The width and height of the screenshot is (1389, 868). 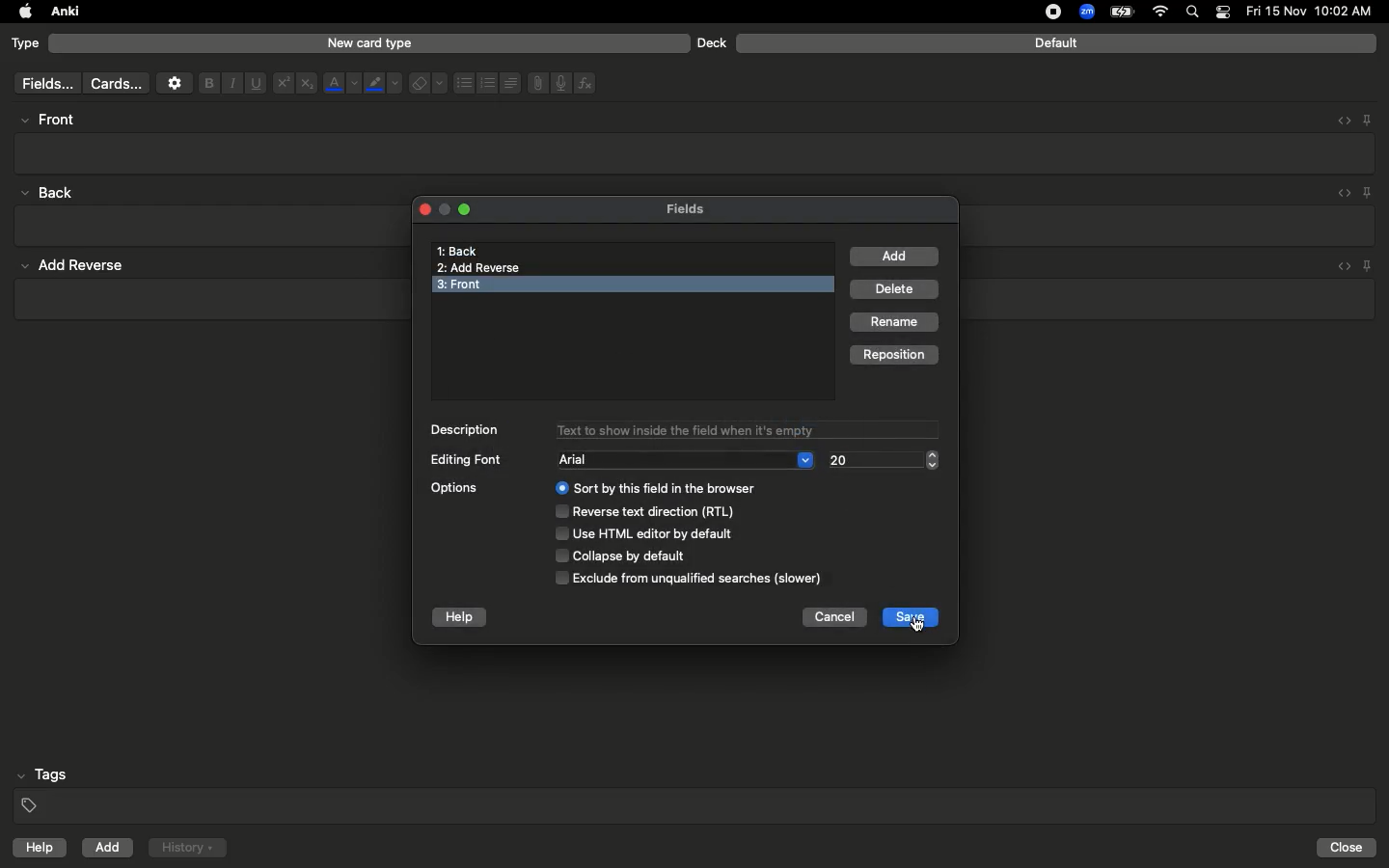 I want to click on Pin, so click(x=1369, y=192).